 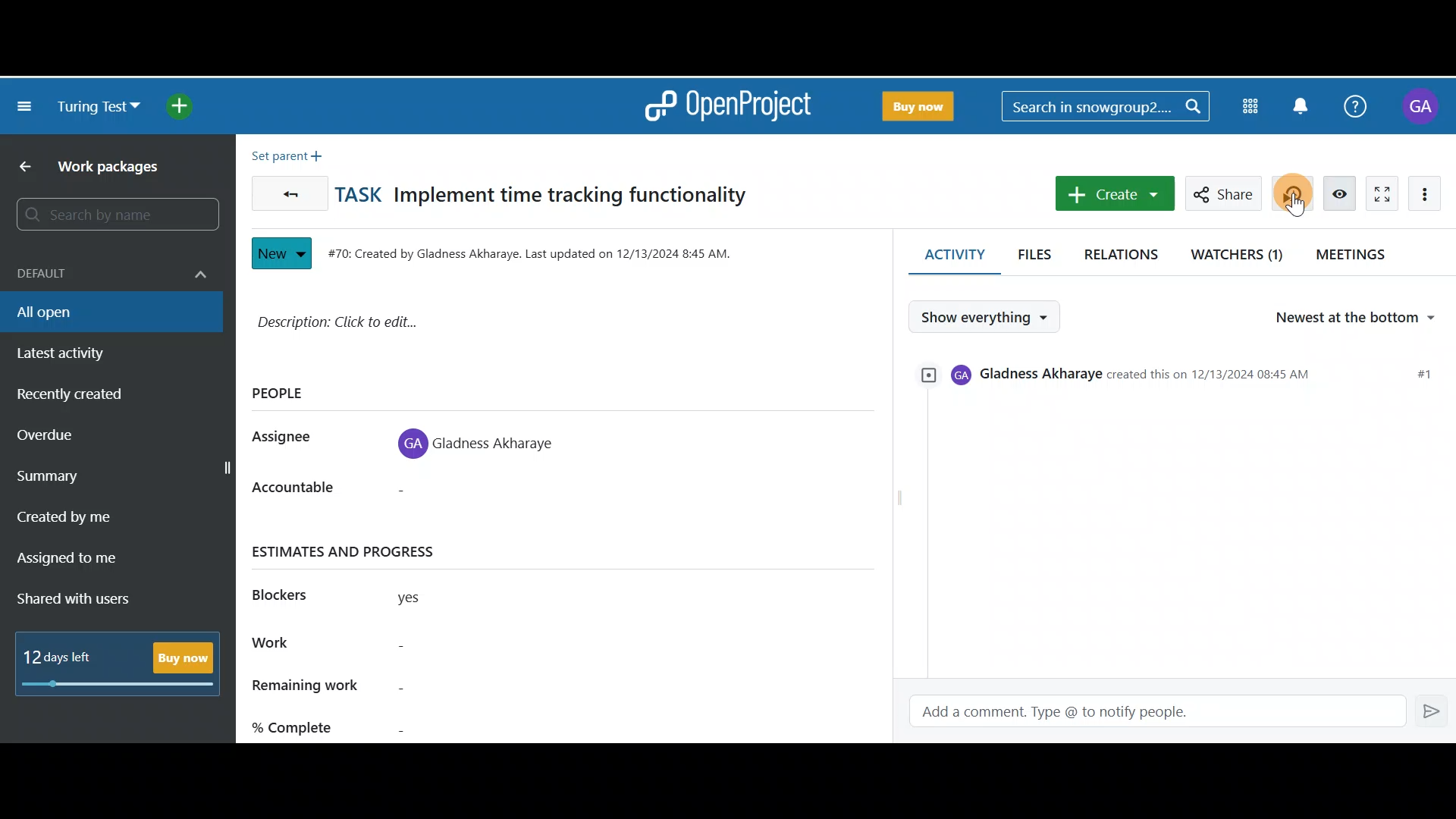 I want to click on Collapse project menu, so click(x=26, y=108).